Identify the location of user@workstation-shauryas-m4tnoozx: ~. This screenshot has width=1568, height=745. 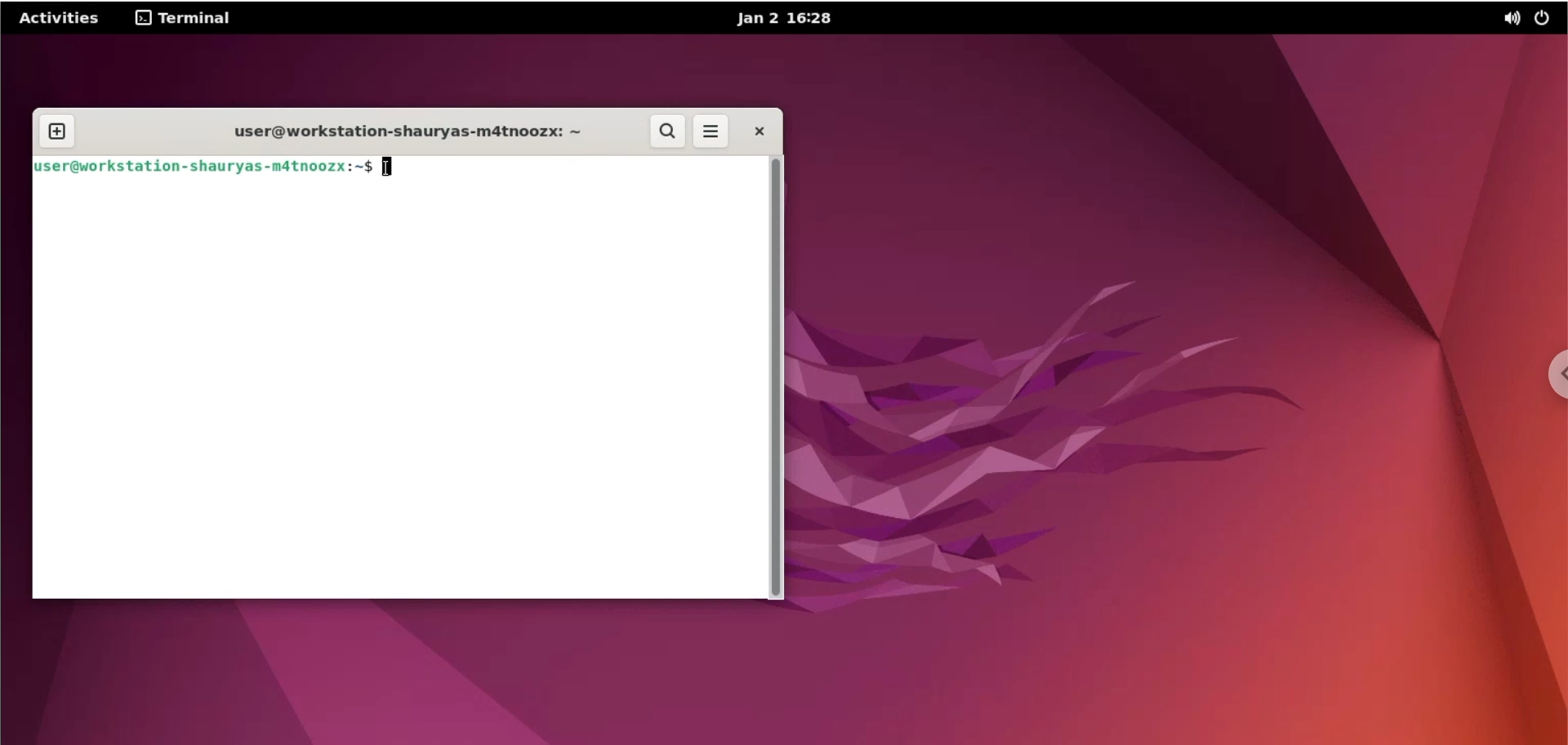
(394, 129).